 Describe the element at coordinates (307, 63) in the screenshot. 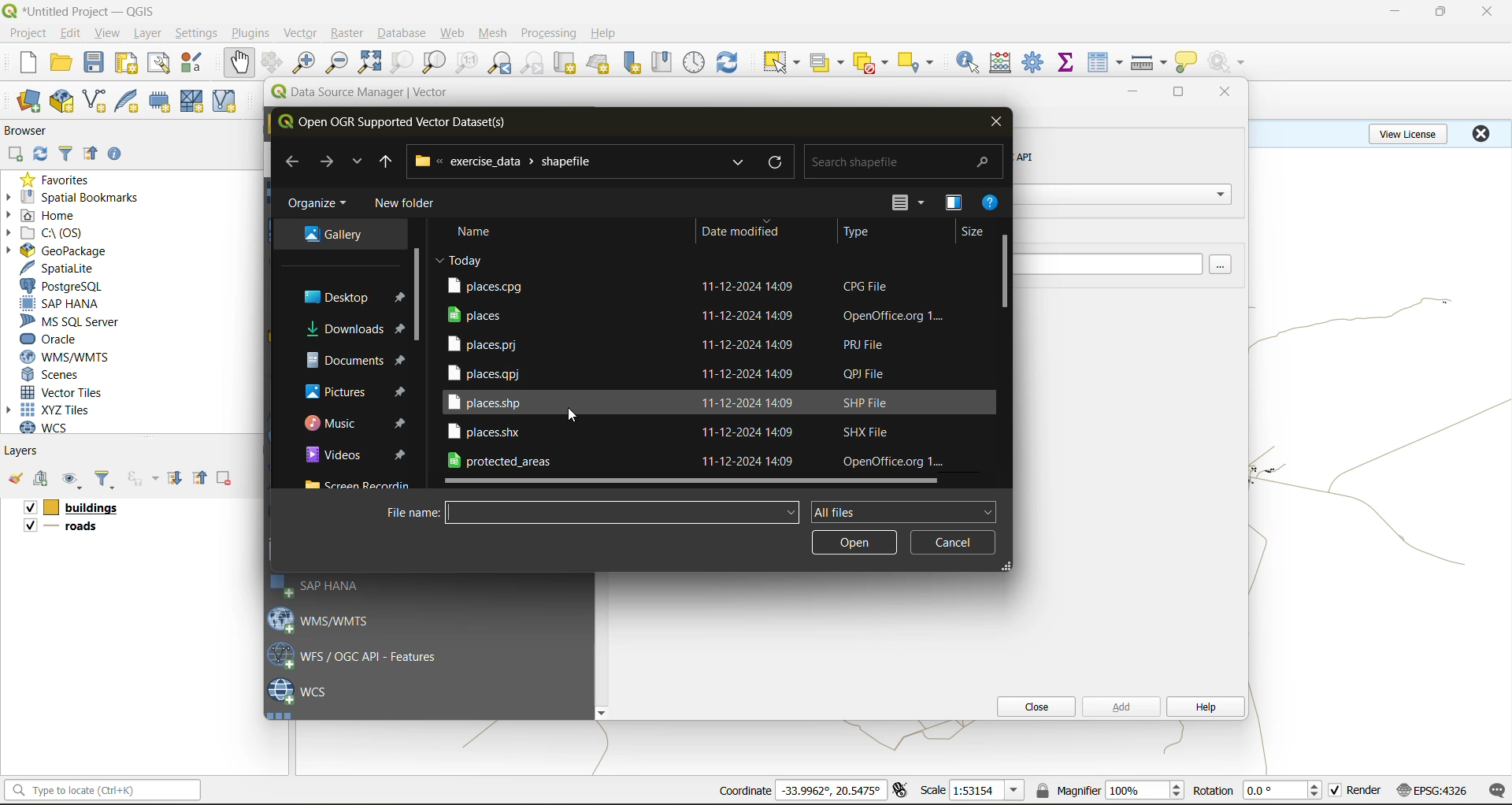

I see `zoom in` at that location.